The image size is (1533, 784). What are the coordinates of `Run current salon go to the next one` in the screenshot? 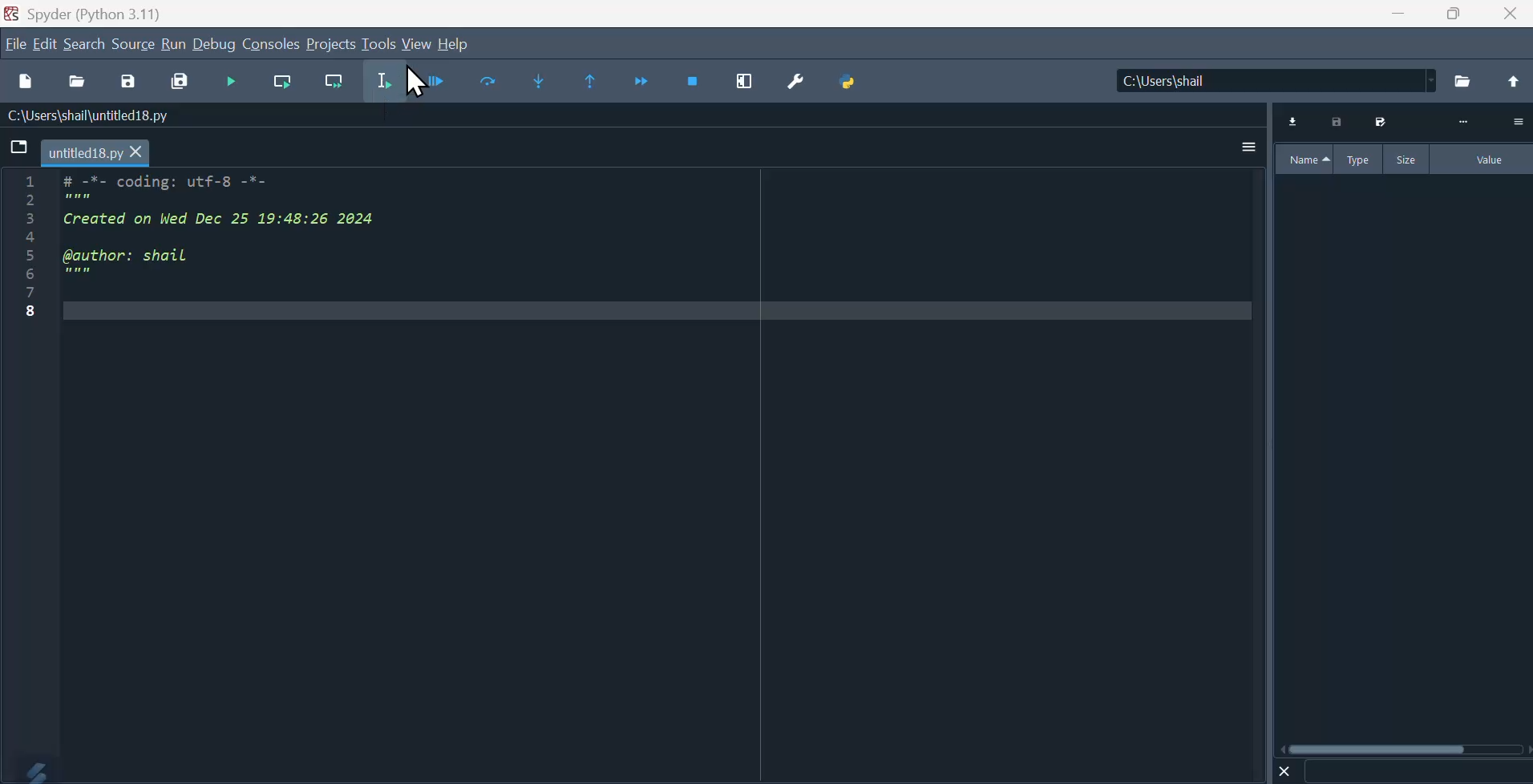 It's located at (334, 82).